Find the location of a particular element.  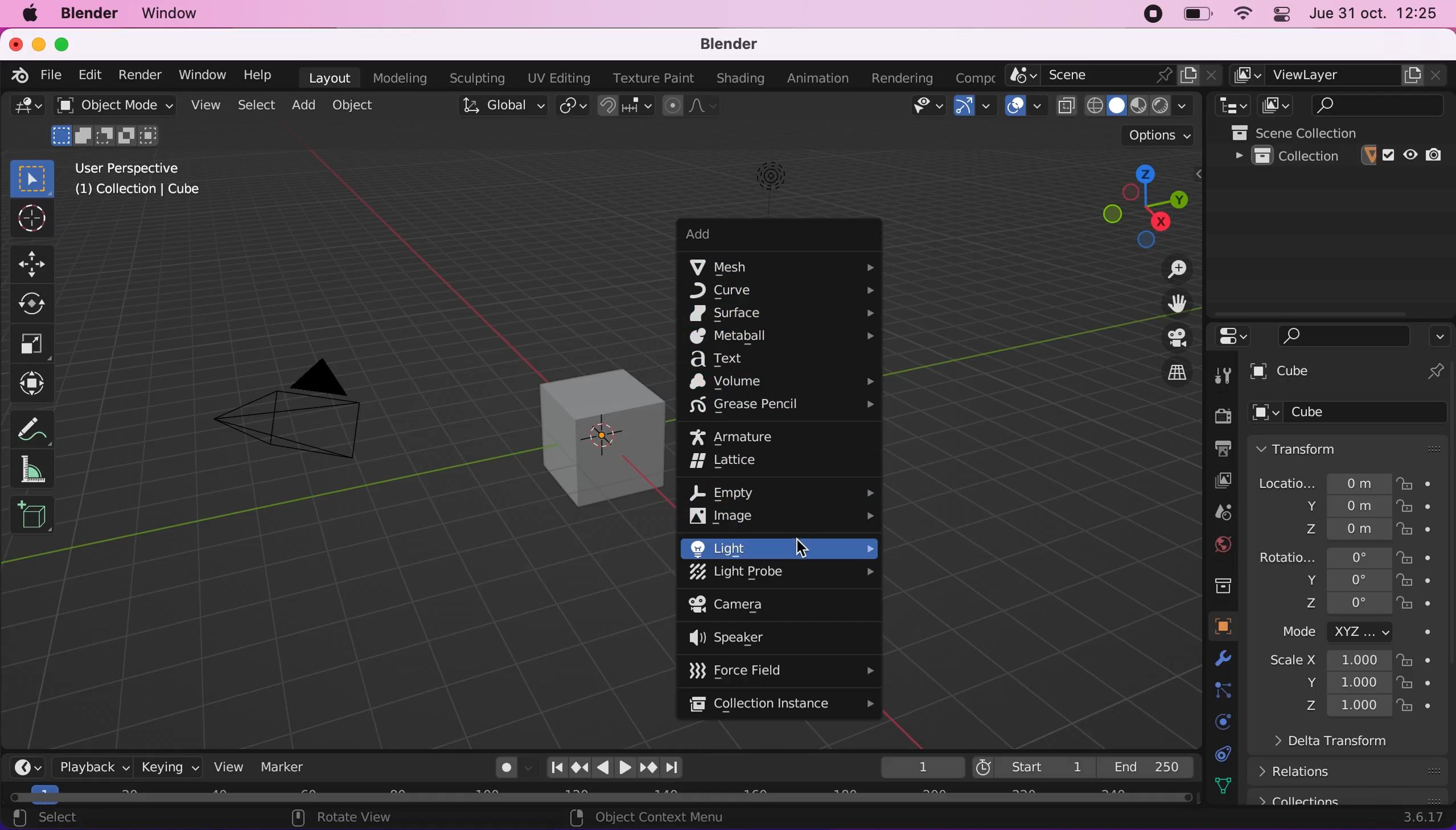

animation is located at coordinates (814, 78).